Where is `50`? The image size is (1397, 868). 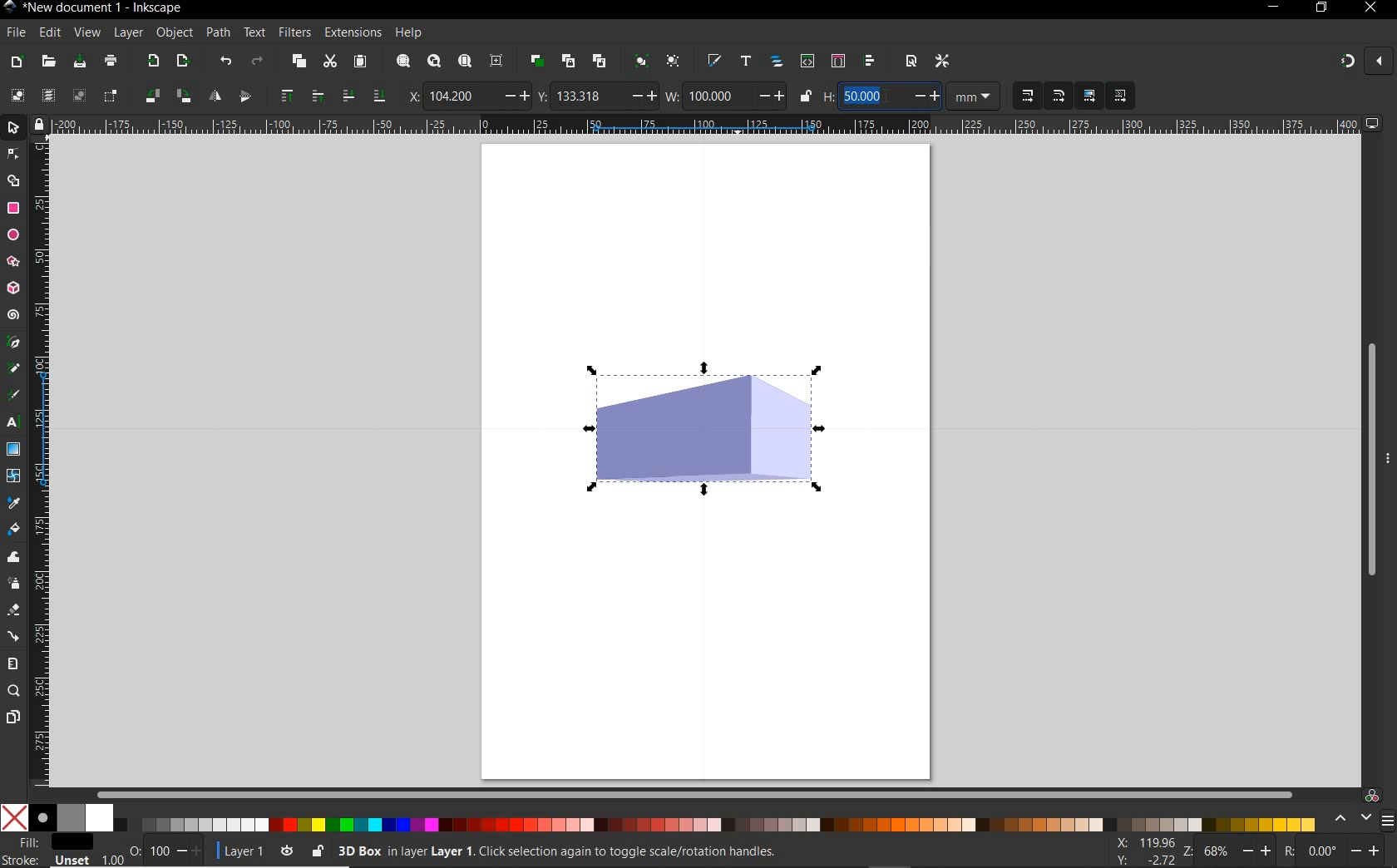 50 is located at coordinates (871, 96).